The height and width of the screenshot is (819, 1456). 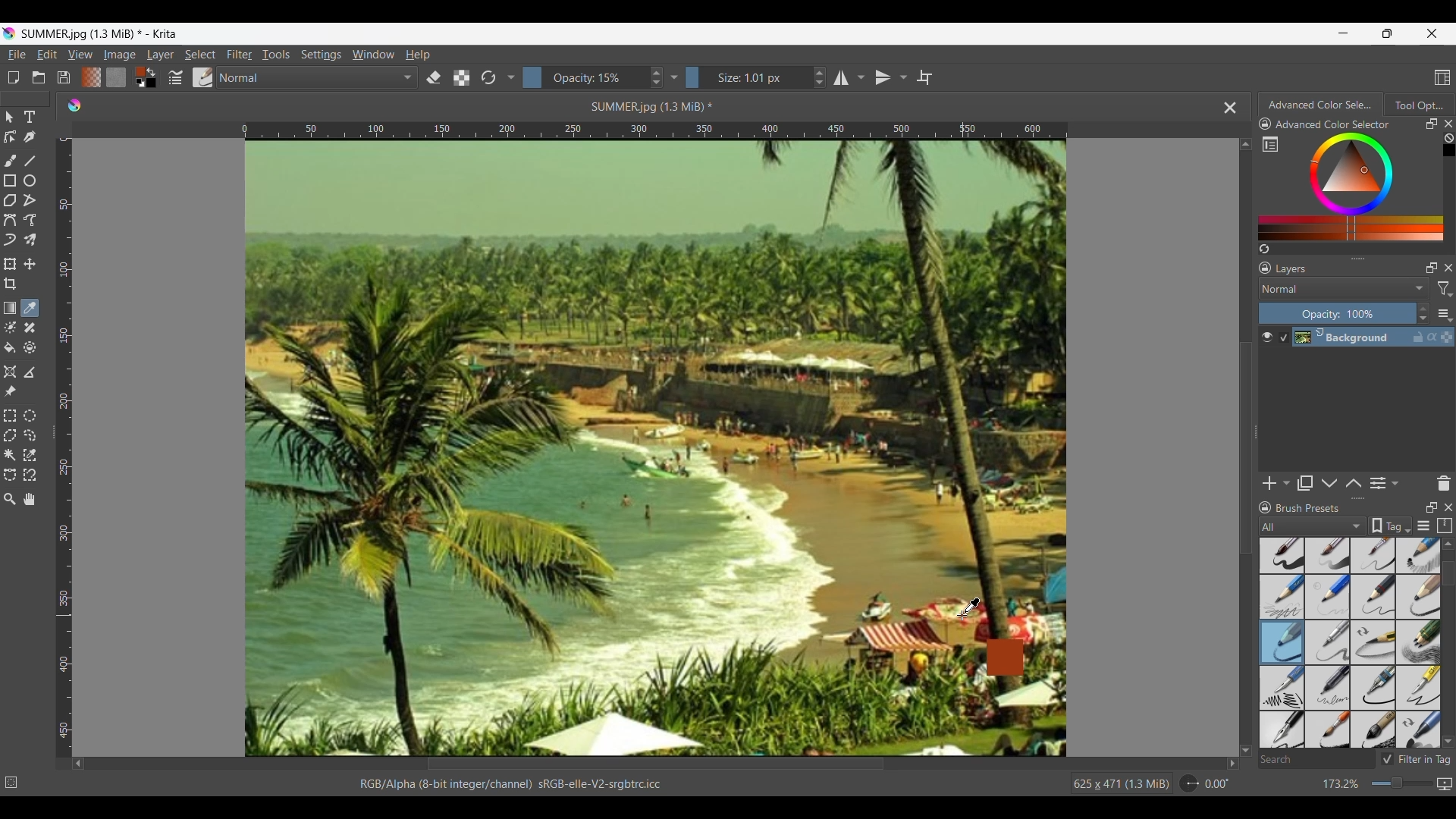 What do you see at coordinates (1449, 507) in the screenshot?
I see `Close` at bounding box center [1449, 507].